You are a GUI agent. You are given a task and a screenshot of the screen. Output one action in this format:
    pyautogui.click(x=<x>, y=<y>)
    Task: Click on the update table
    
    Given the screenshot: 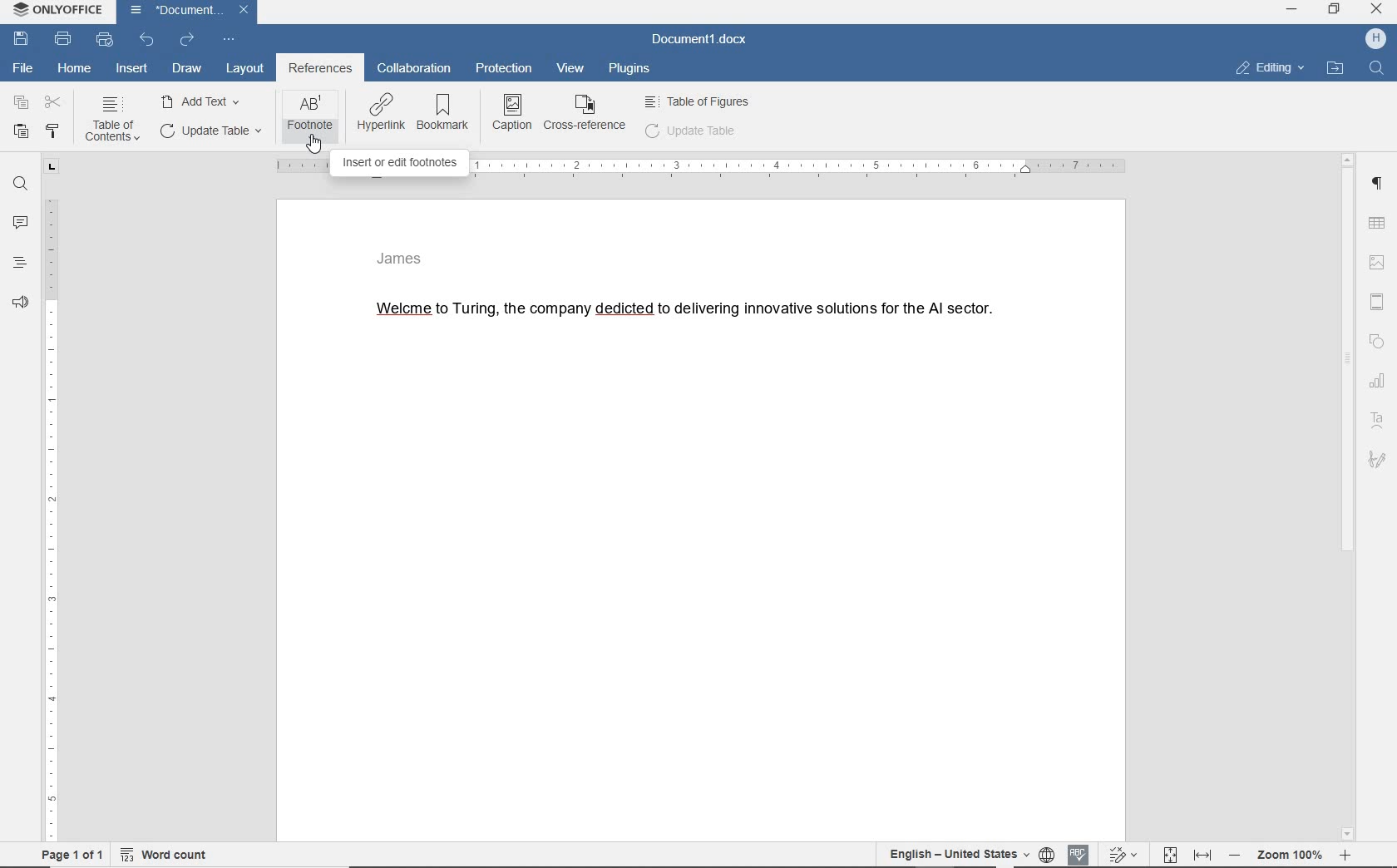 What is the action you would take?
    pyautogui.click(x=691, y=133)
    